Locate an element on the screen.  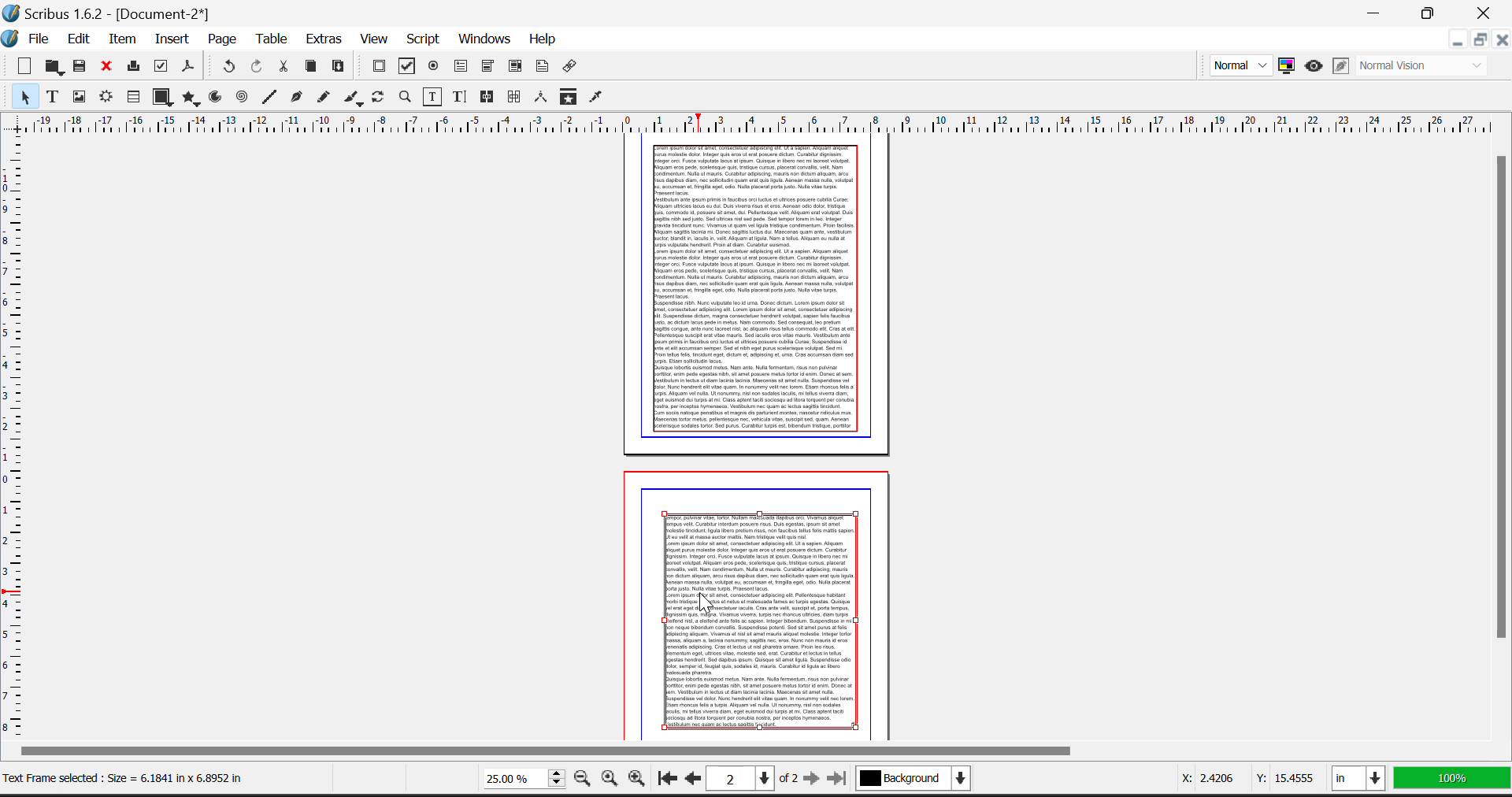
Select is located at coordinates (20, 97).